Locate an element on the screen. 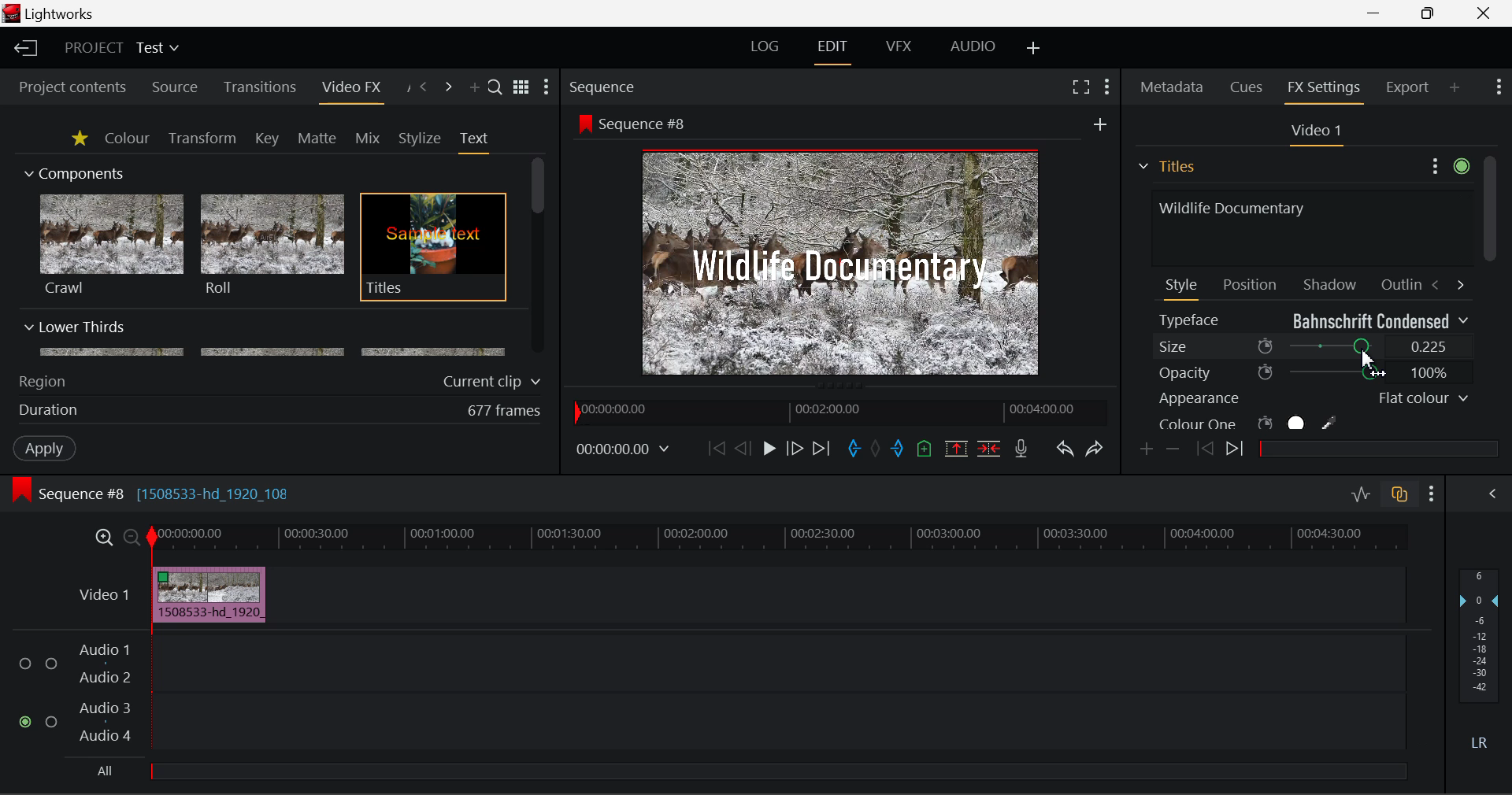  Remove keyframe is located at coordinates (1173, 451).